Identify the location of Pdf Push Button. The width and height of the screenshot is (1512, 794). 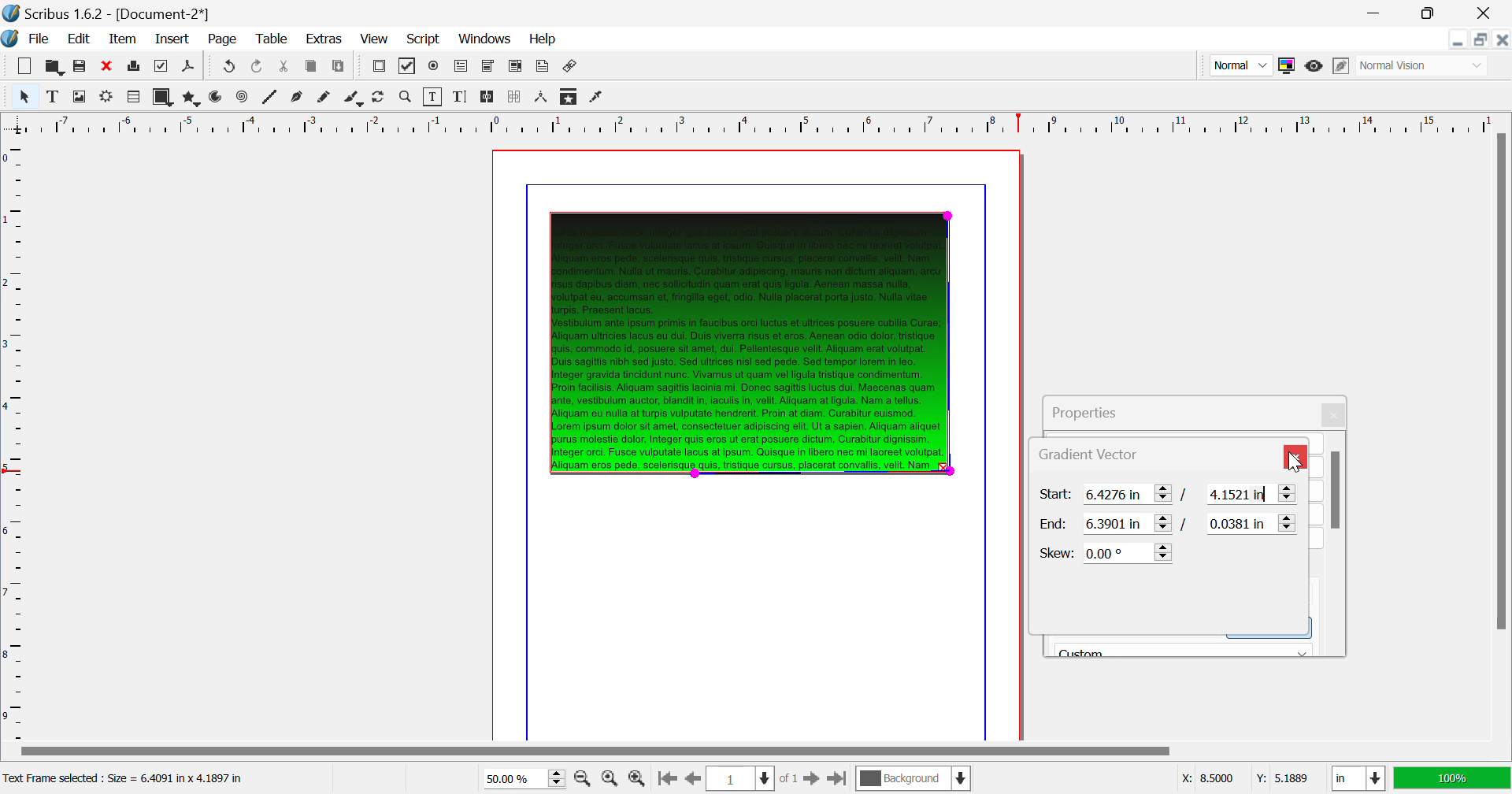
(379, 68).